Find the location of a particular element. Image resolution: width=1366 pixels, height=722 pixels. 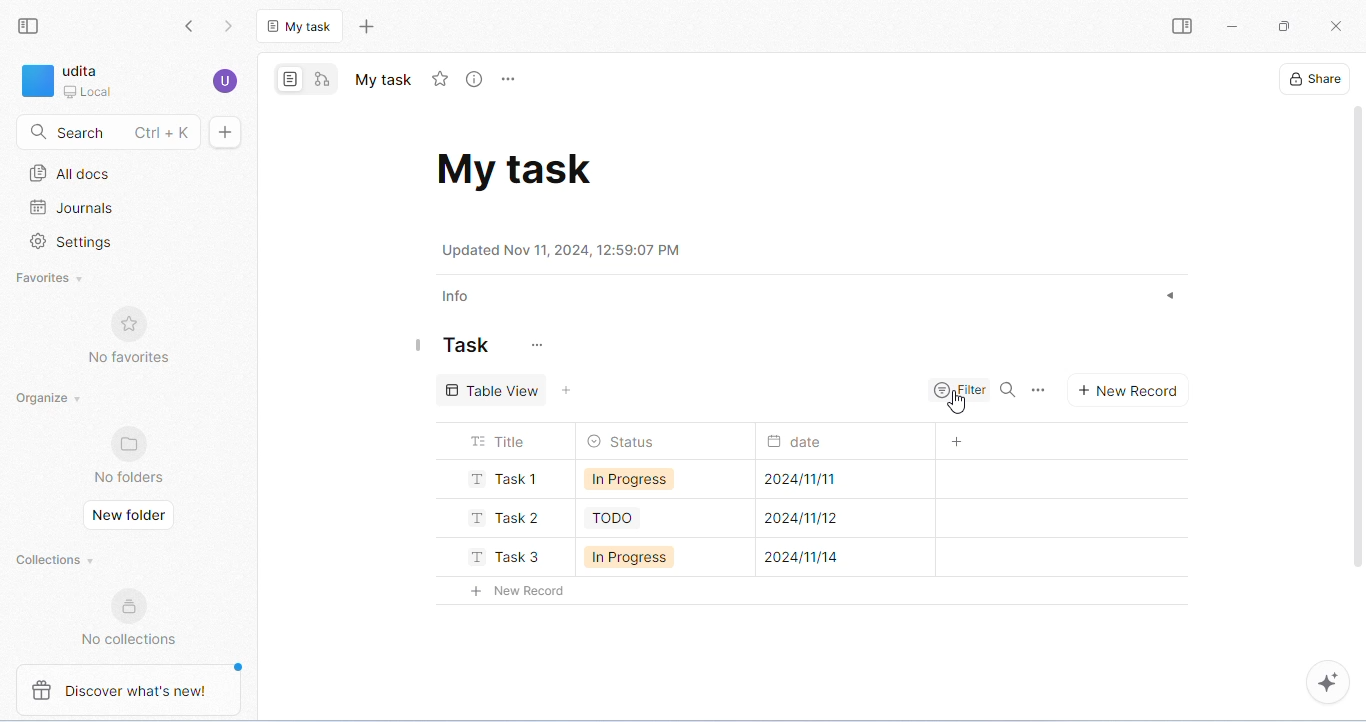

table options is located at coordinates (1042, 390).